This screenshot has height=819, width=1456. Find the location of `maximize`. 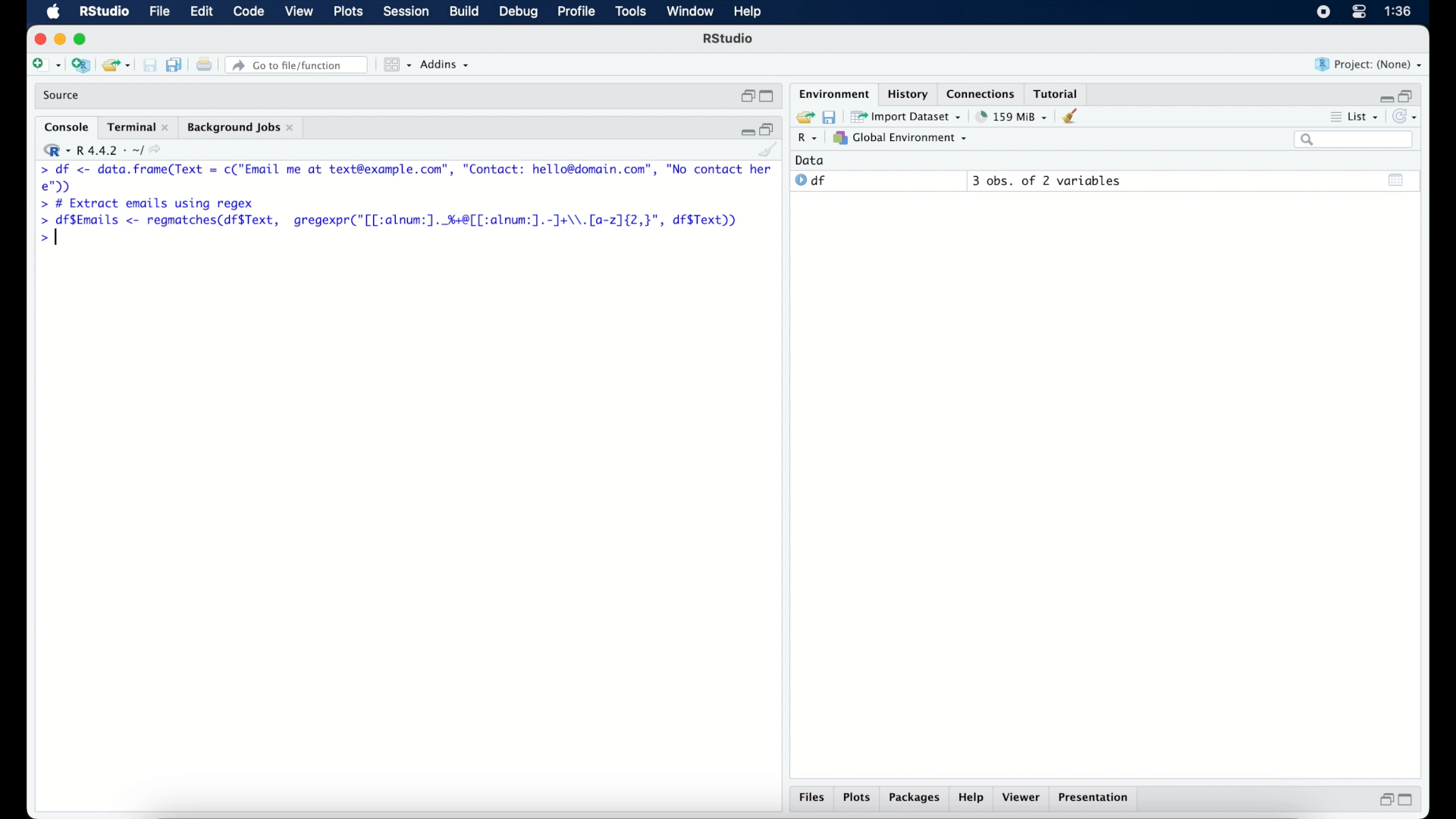

maximize is located at coordinates (1407, 801).